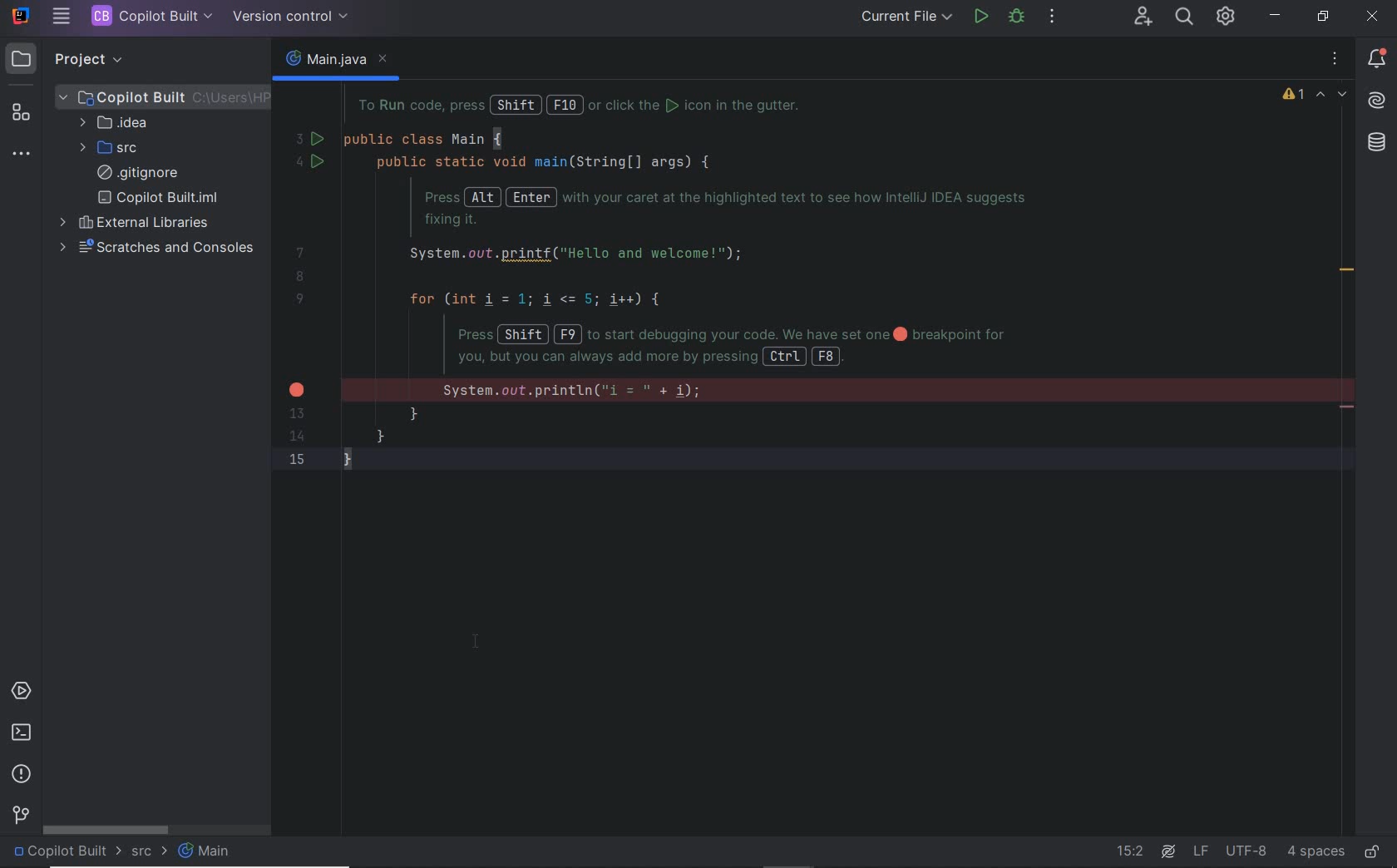 The image size is (1397, 868). Describe the element at coordinates (22, 774) in the screenshot. I see `problems` at that location.